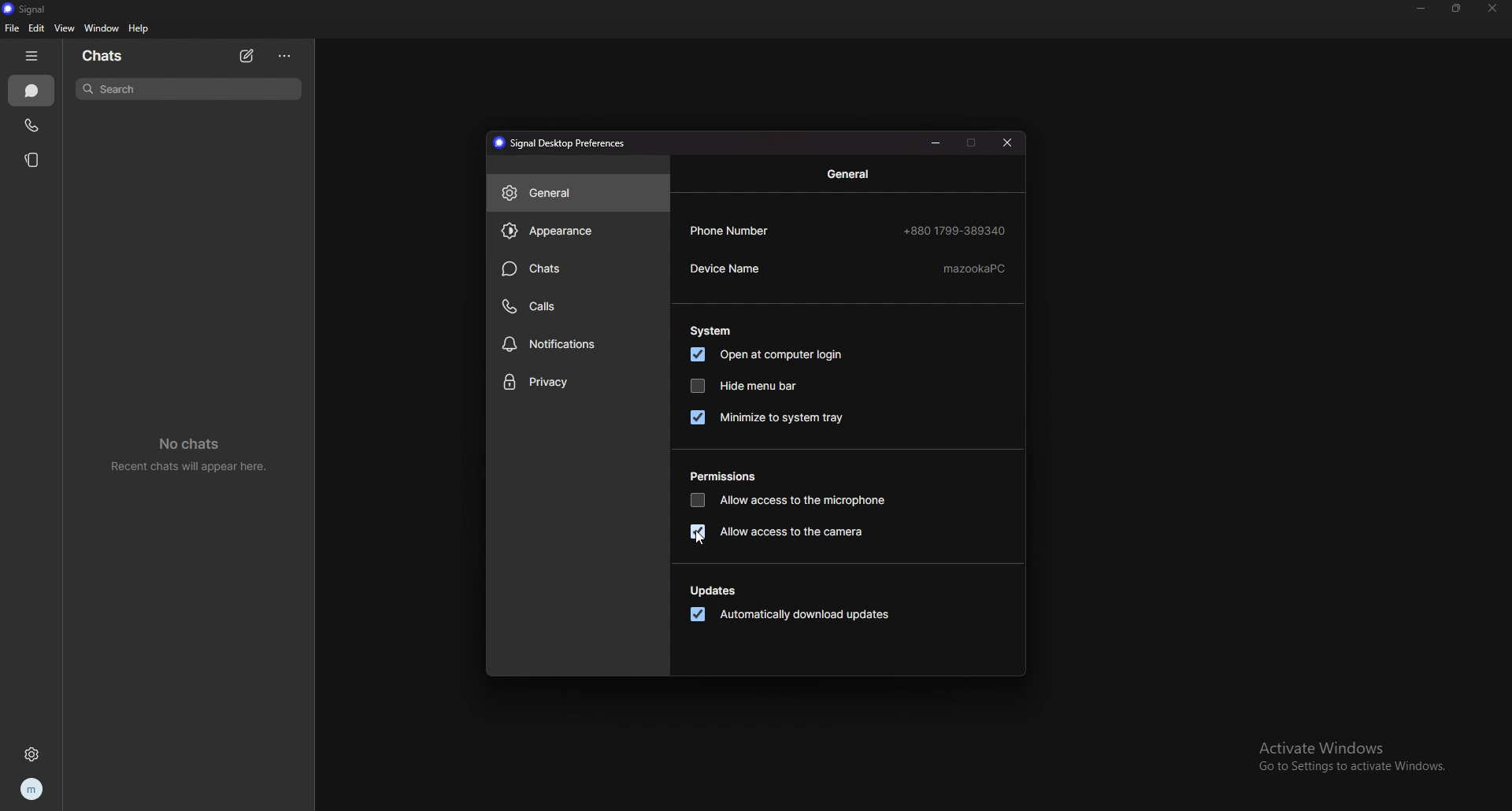 This screenshot has height=811, width=1512. What do you see at coordinates (851, 174) in the screenshot?
I see `general` at bounding box center [851, 174].